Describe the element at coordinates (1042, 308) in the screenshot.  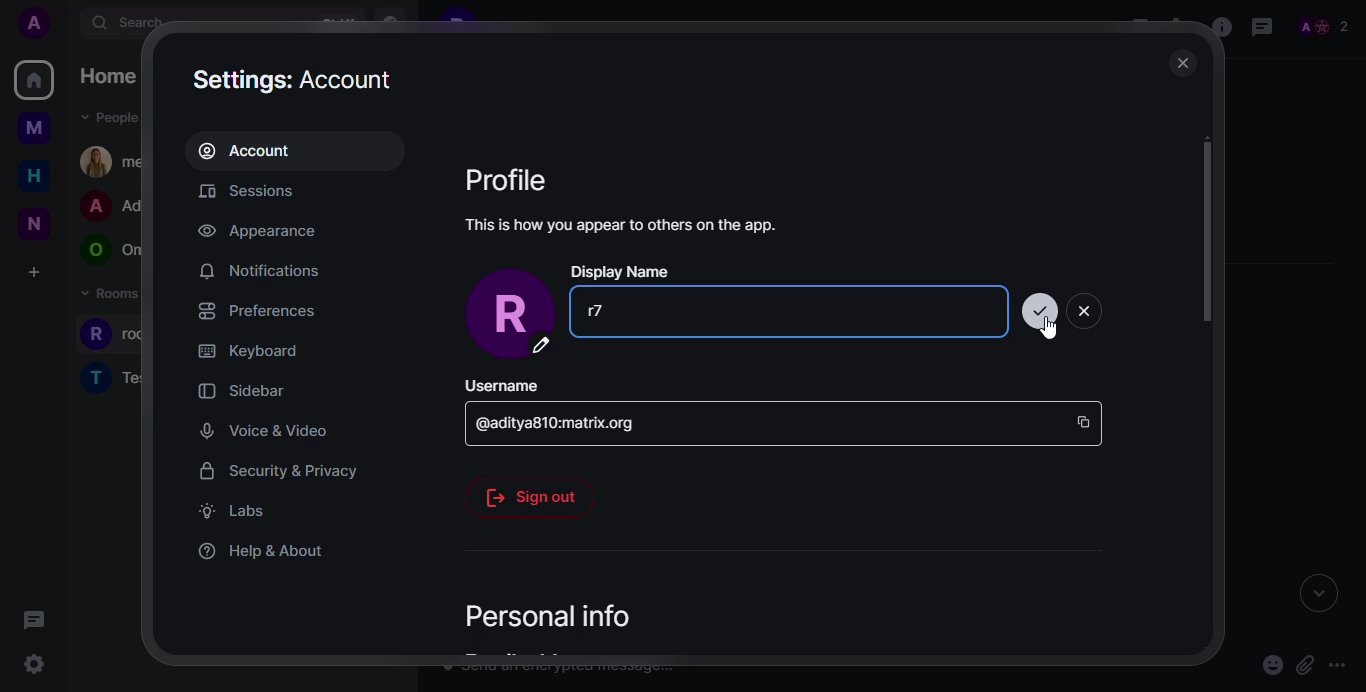
I see `update` at that location.